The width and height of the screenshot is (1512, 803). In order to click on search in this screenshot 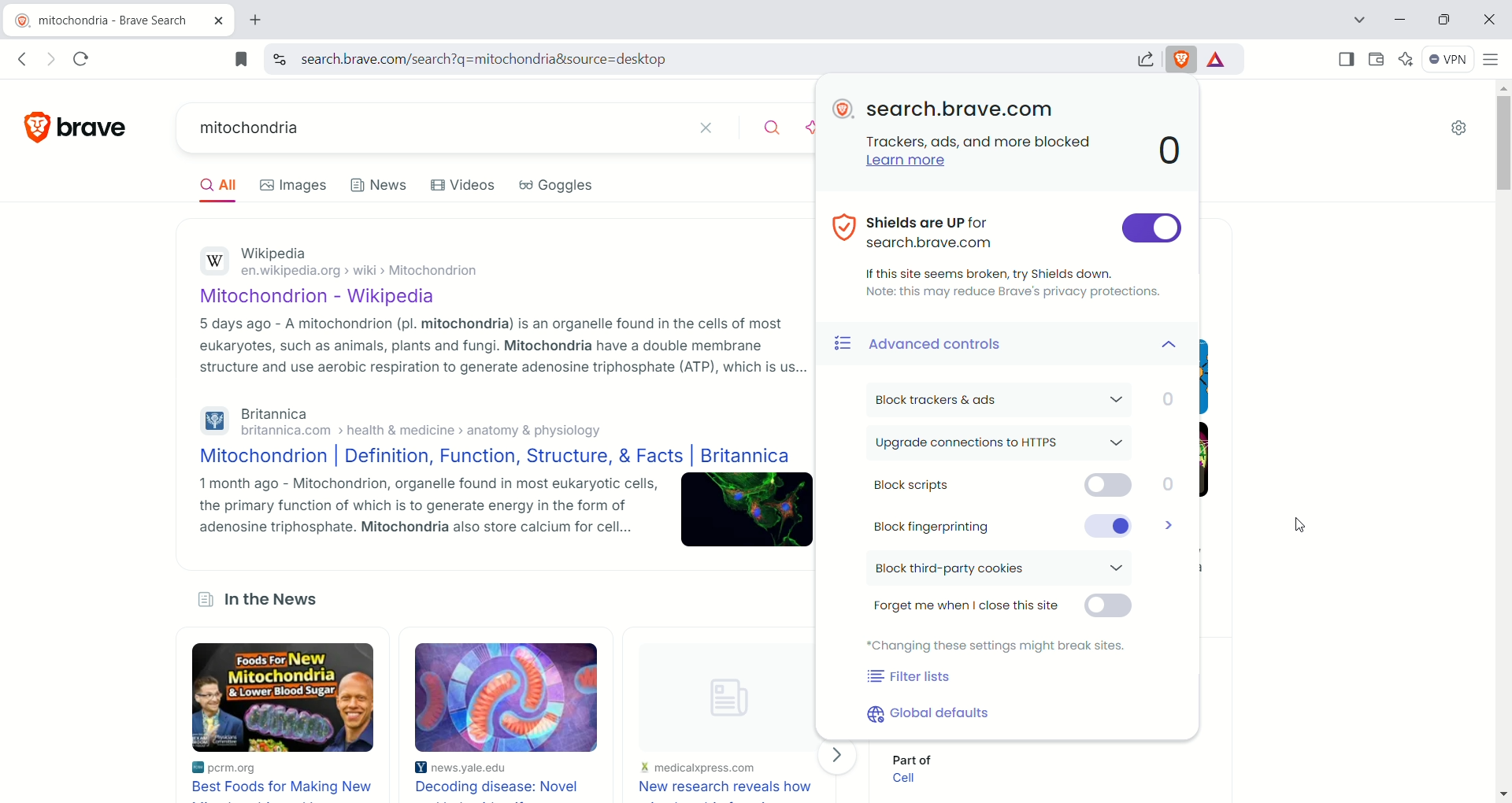, I will do `click(764, 126)`.